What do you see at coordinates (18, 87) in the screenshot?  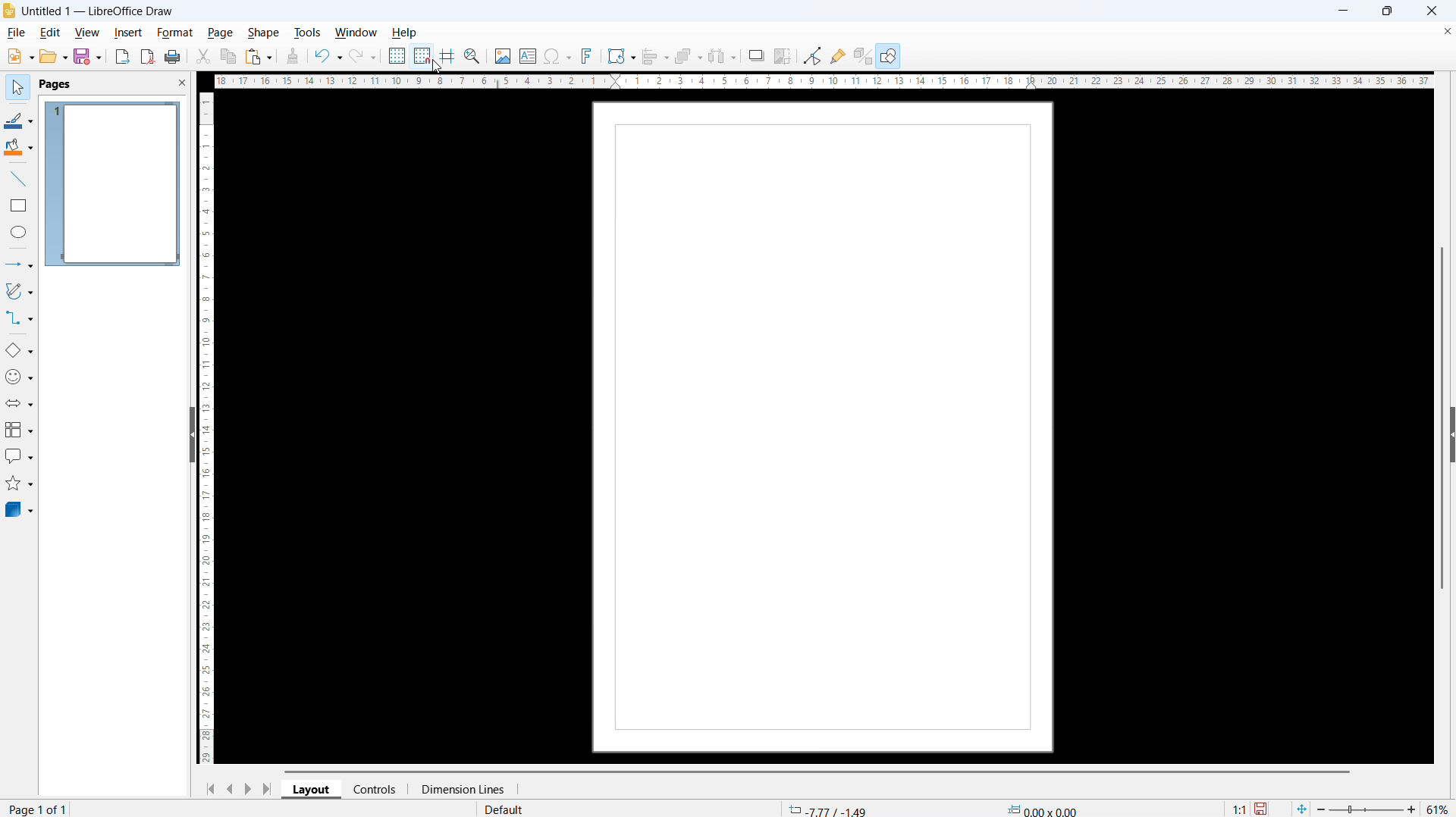 I see `select` at bounding box center [18, 87].